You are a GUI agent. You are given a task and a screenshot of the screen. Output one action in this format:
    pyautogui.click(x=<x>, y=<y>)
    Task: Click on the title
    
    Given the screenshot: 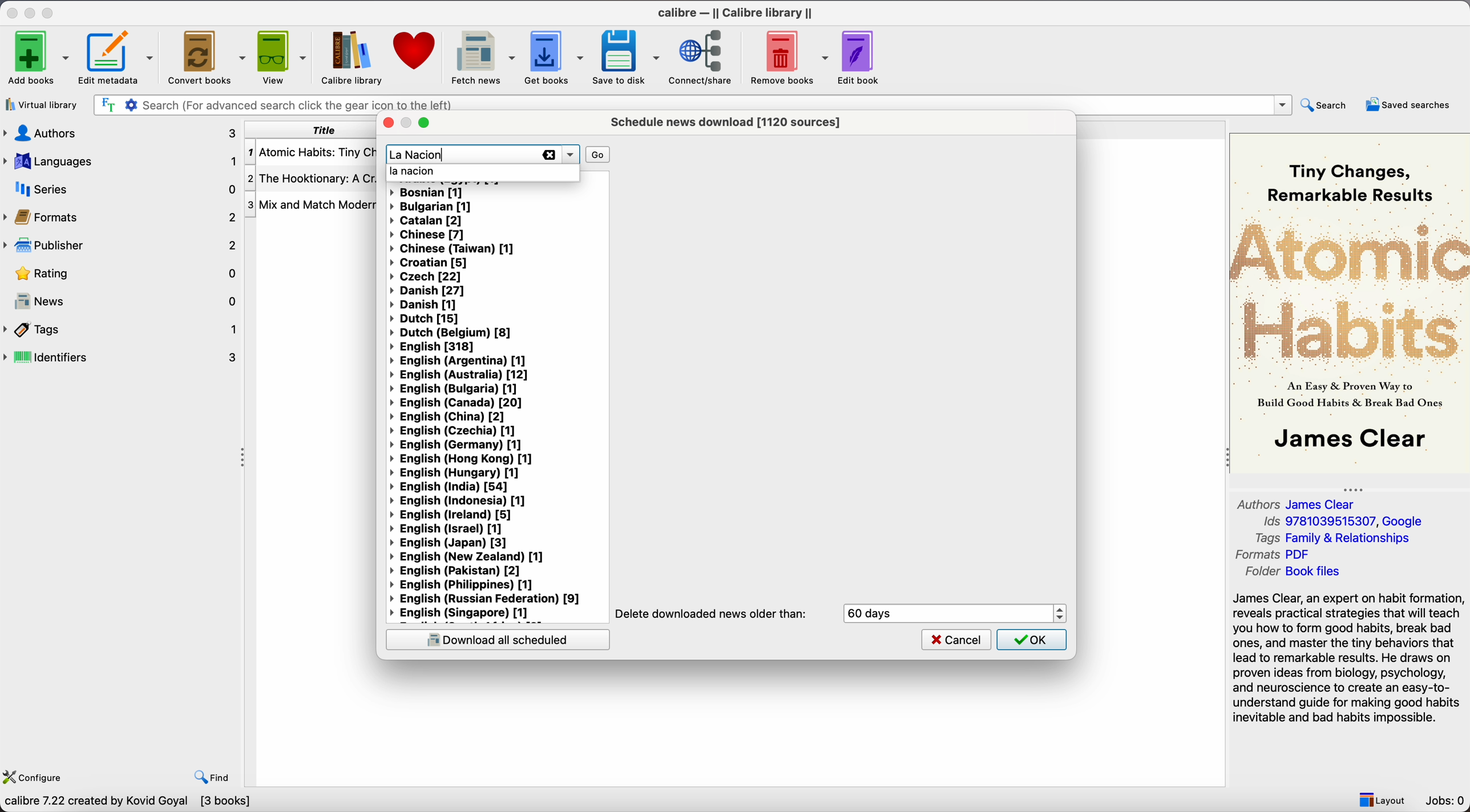 What is the action you would take?
    pyautogui.click(x=309, y=130)
    